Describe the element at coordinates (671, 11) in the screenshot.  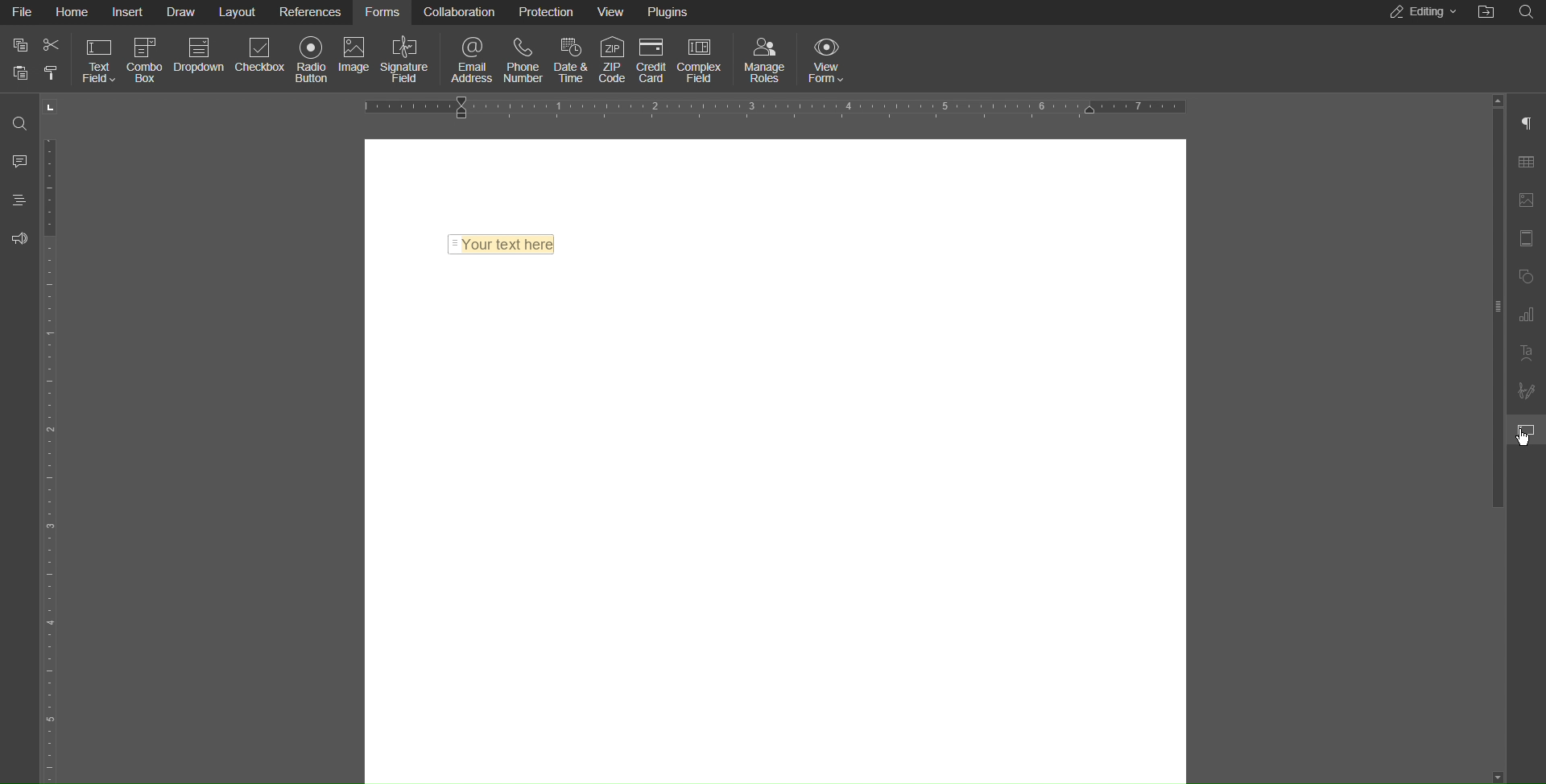
I see `Plugins` at that location.